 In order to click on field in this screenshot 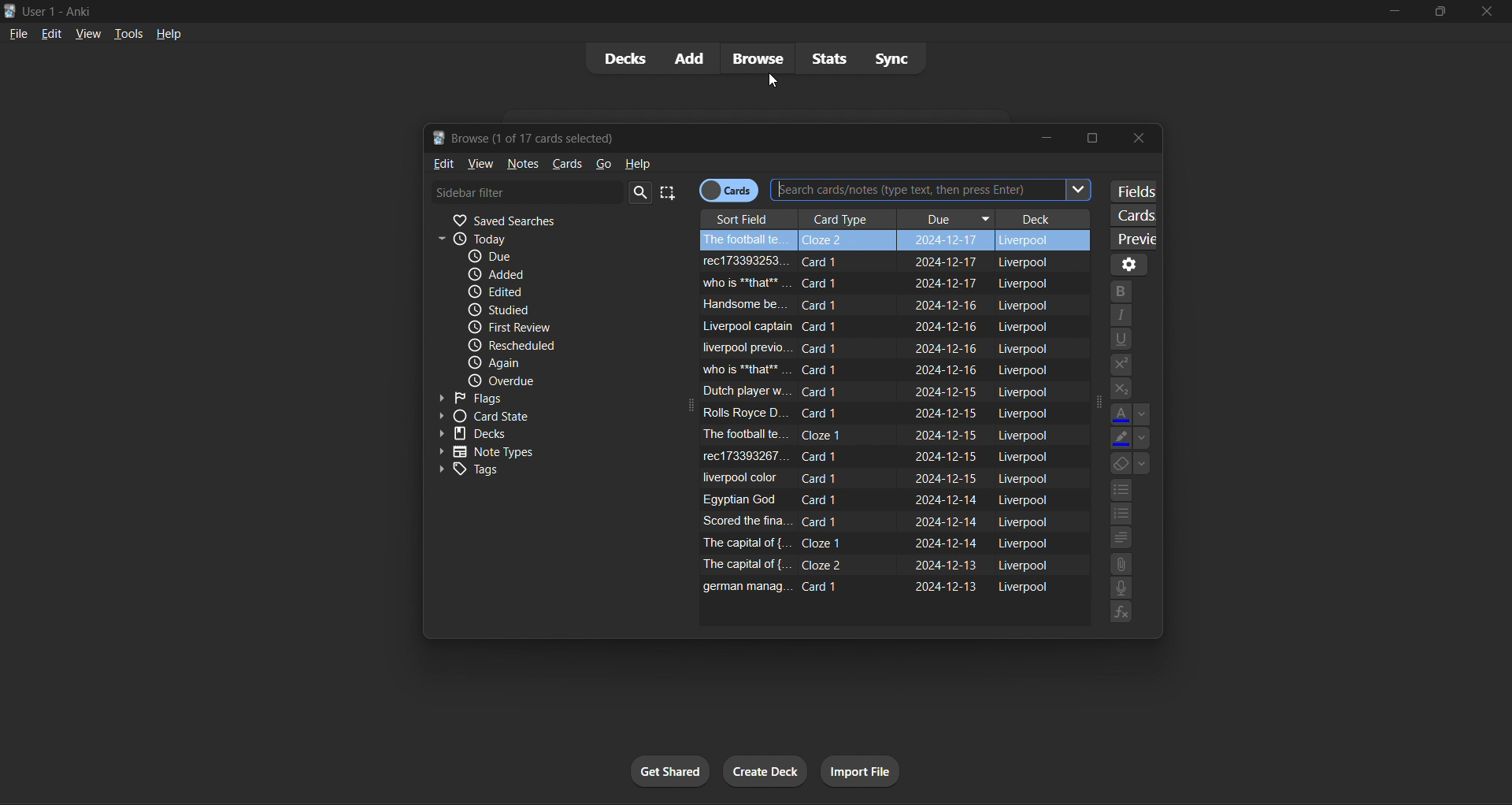, I will do `click(748, 541)`.